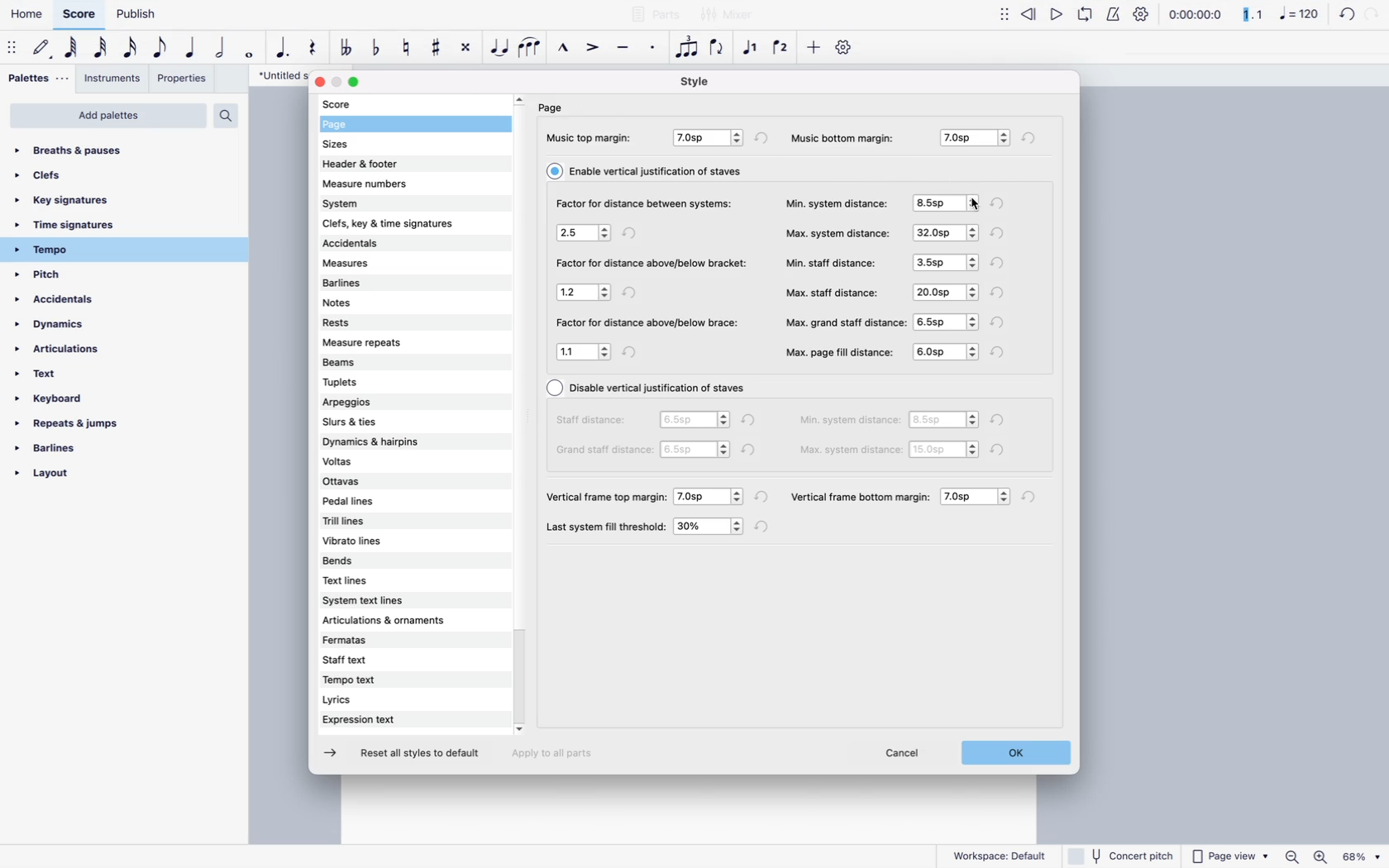  I want to click on vertical frame top margin, so click(608, 495).